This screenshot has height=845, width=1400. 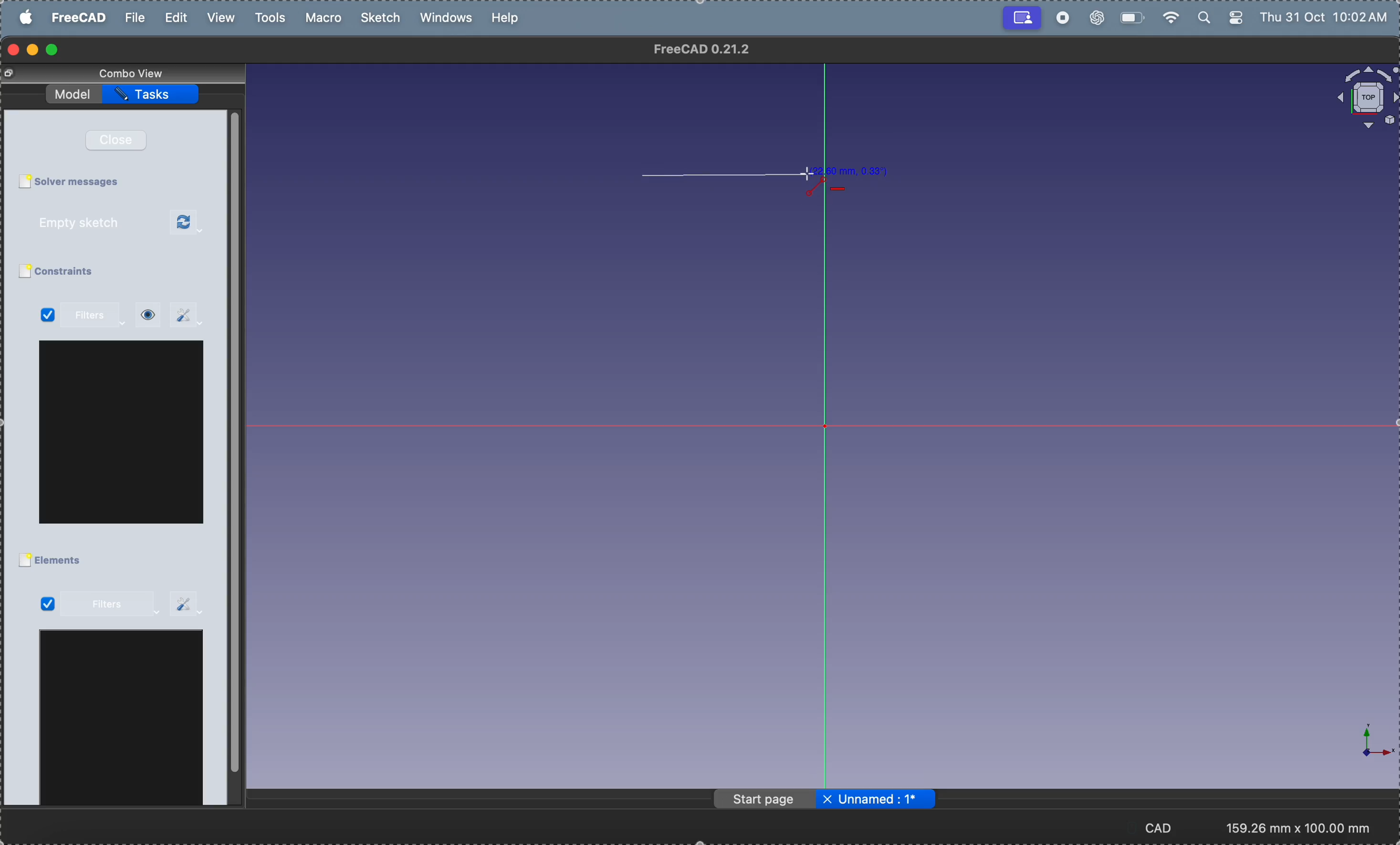 I want to click on free cad, so click(x=81, y=17).